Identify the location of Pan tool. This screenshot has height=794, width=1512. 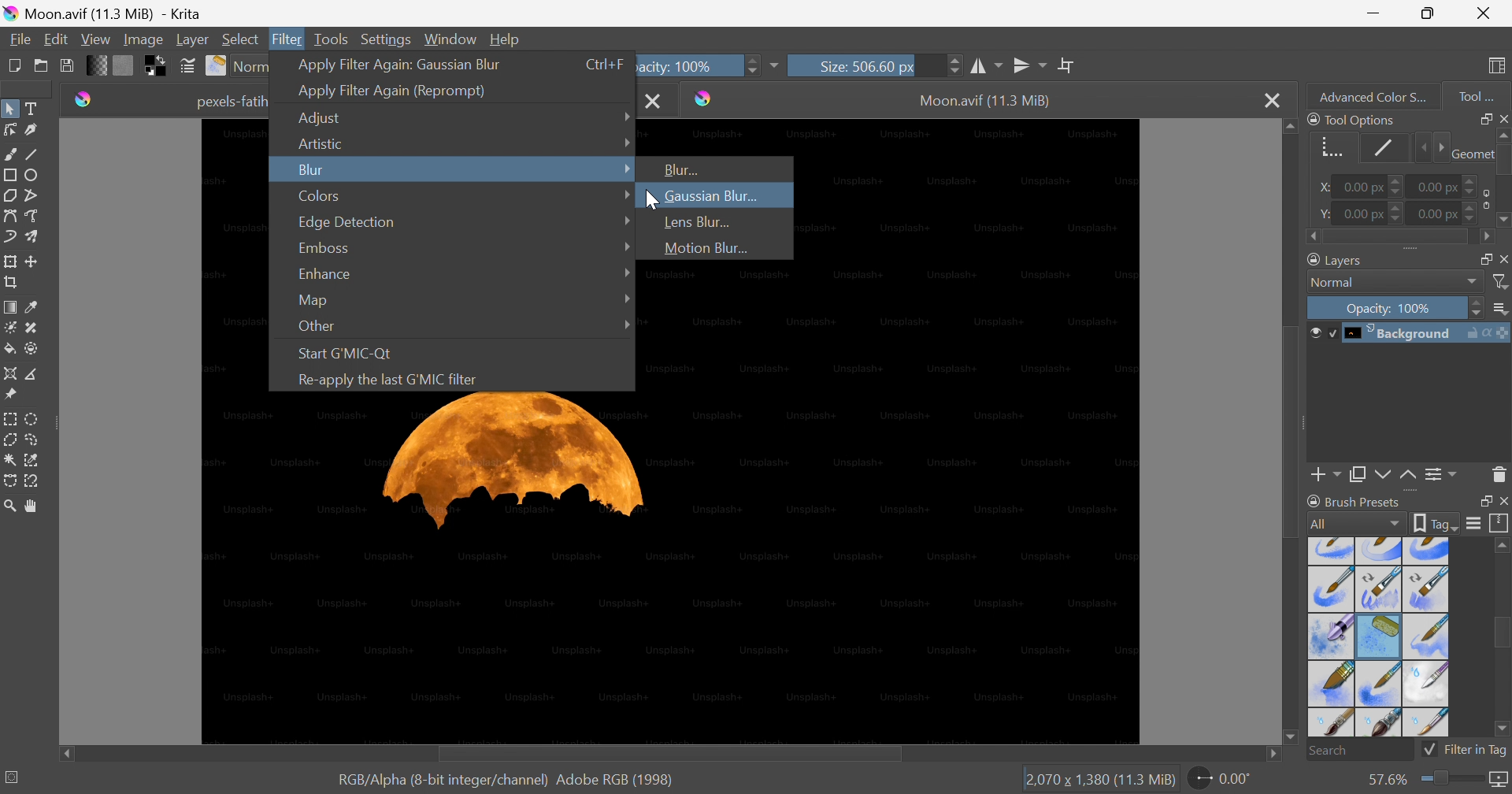
(35, 506).